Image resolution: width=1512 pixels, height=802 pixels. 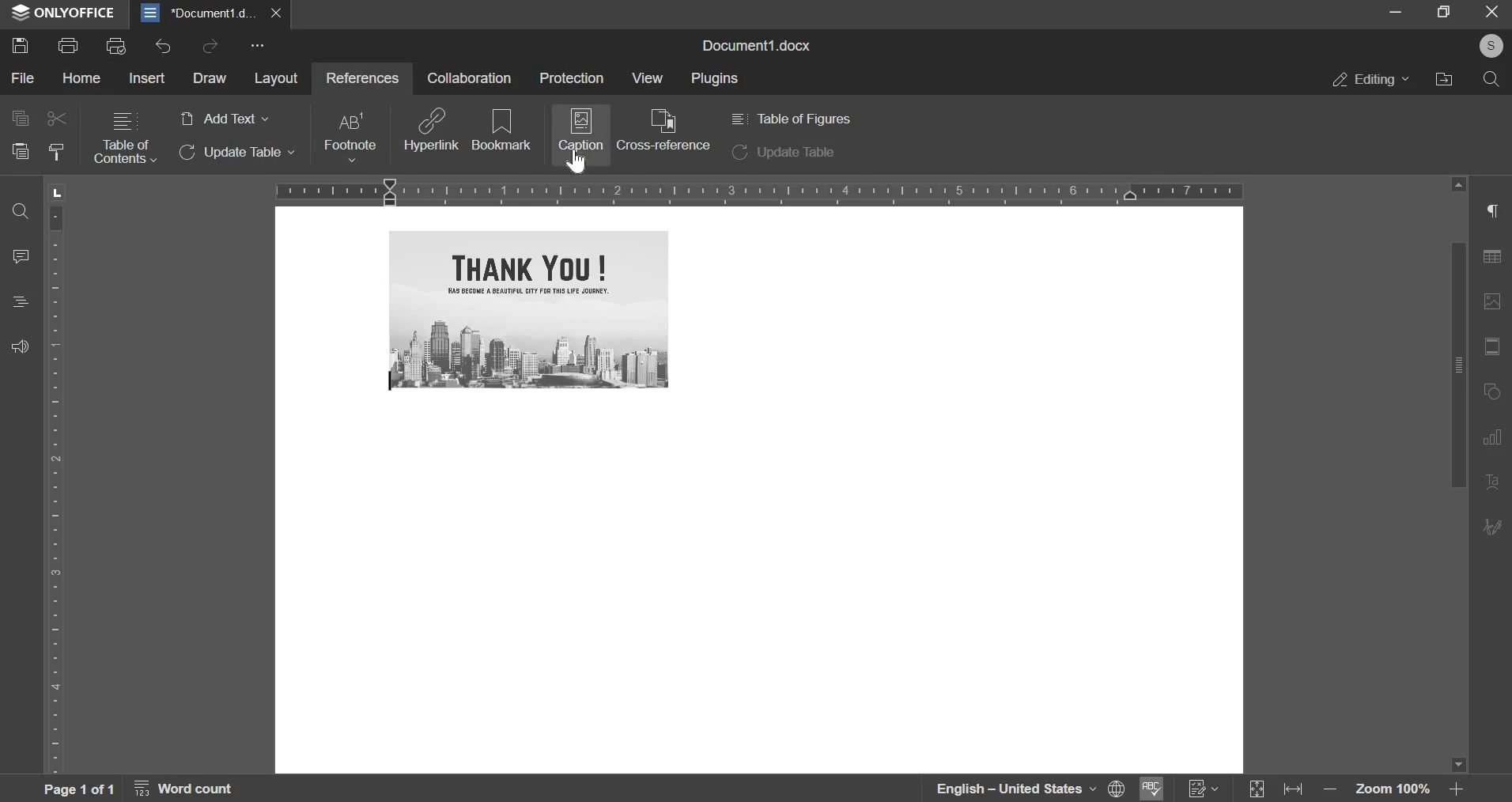 What do you see at coordinates (22, 255) in the screenshot?
I see `comment` at bounding box center [22, 255].